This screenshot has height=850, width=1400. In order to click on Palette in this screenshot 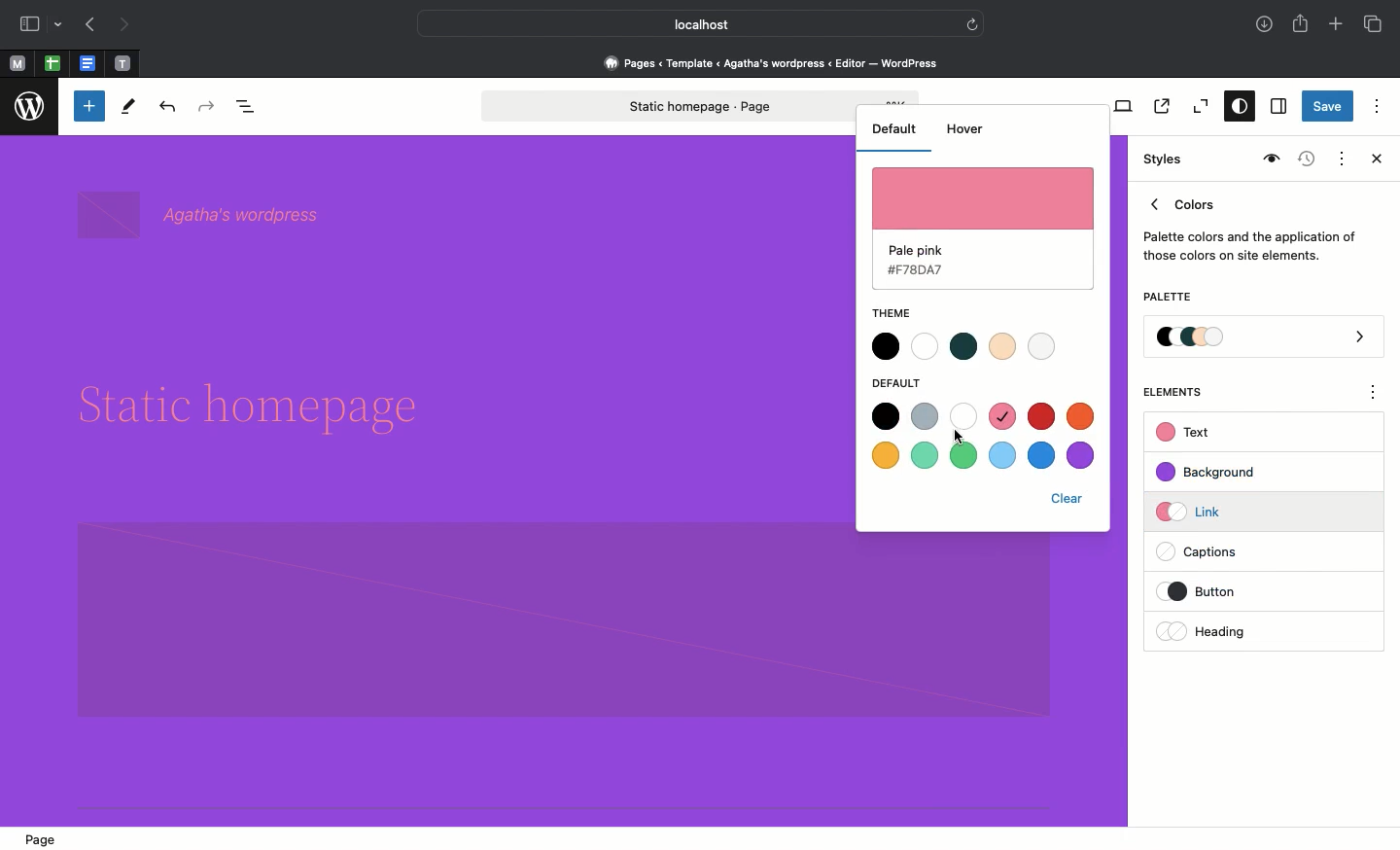, I will do `click(1167, 299)`.